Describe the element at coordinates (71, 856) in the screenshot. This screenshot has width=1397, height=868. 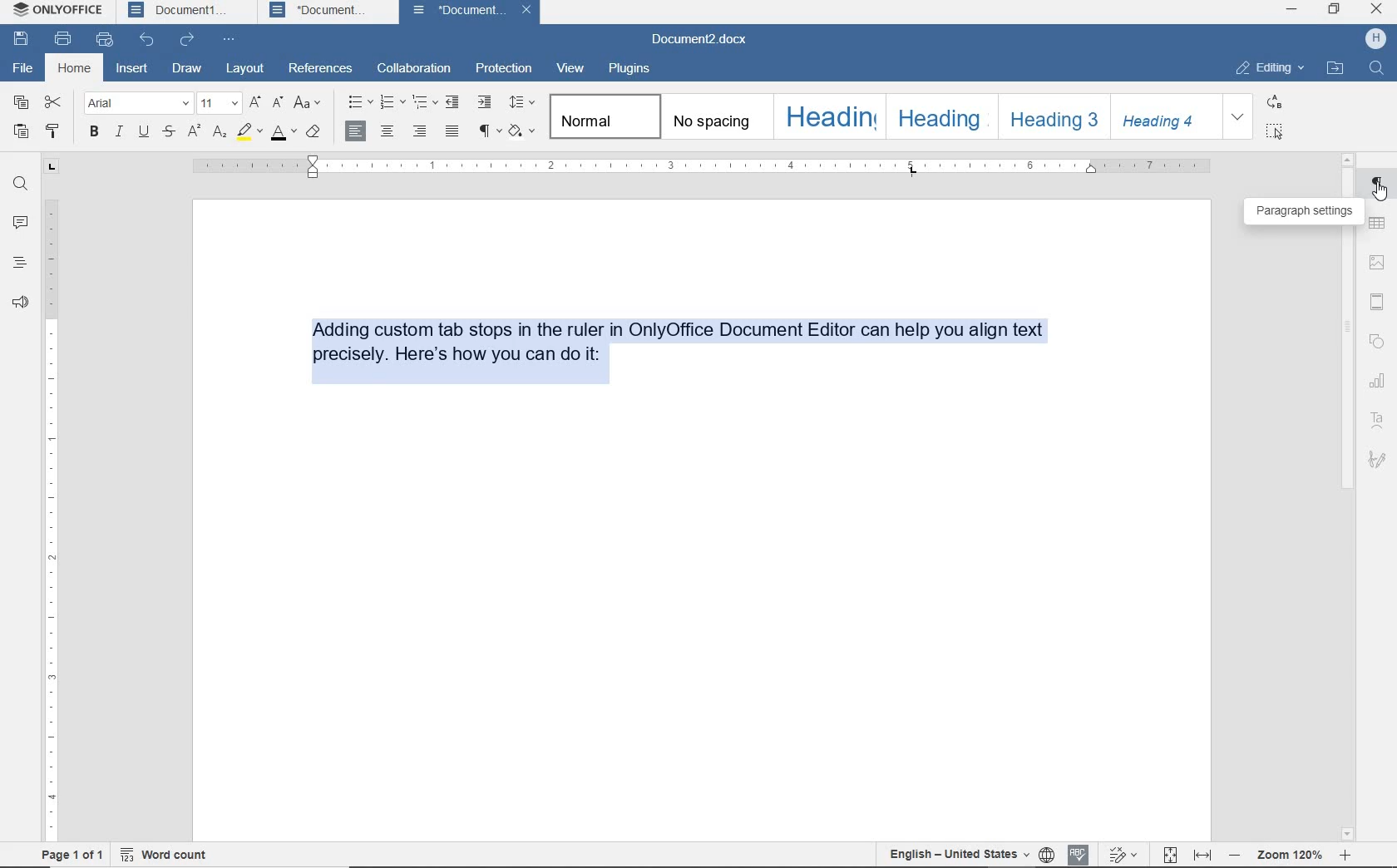
I see `page 1 of 1` at that location.